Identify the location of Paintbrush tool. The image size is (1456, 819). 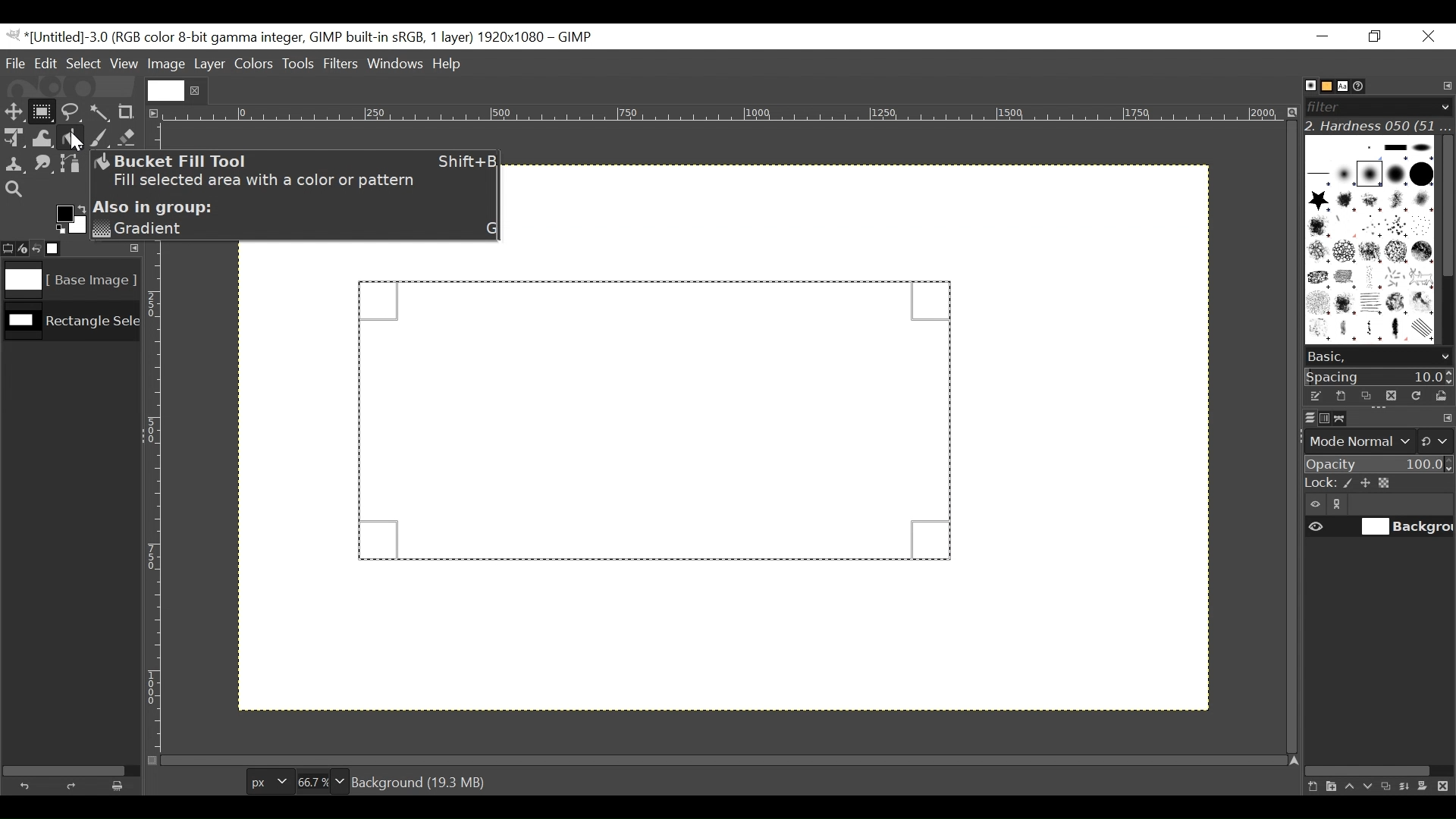
(102, 140).